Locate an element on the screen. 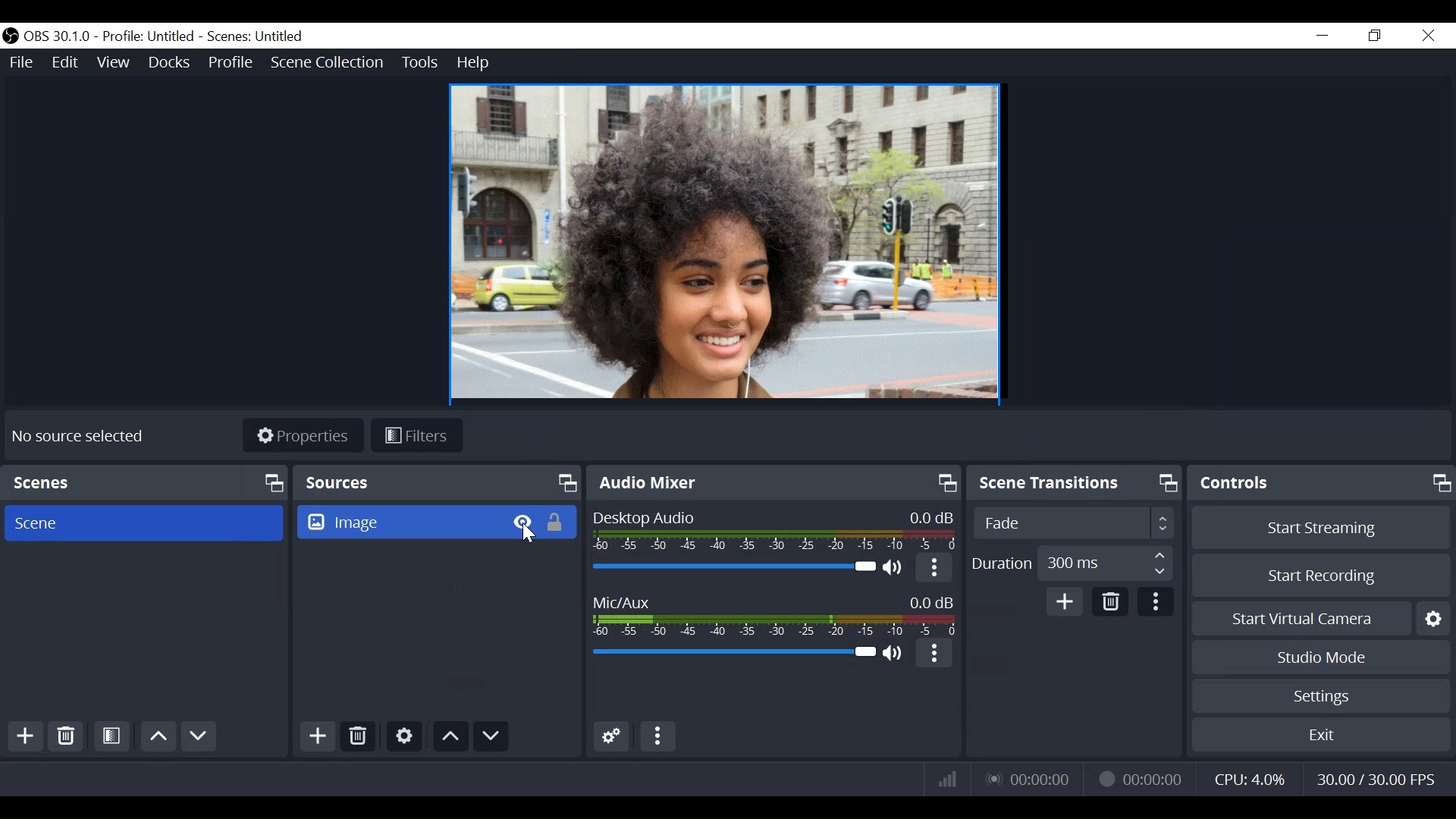 The height and width of the screenshot is (819, 1456). Open Scene Filters is located at coordinates (113, 738).